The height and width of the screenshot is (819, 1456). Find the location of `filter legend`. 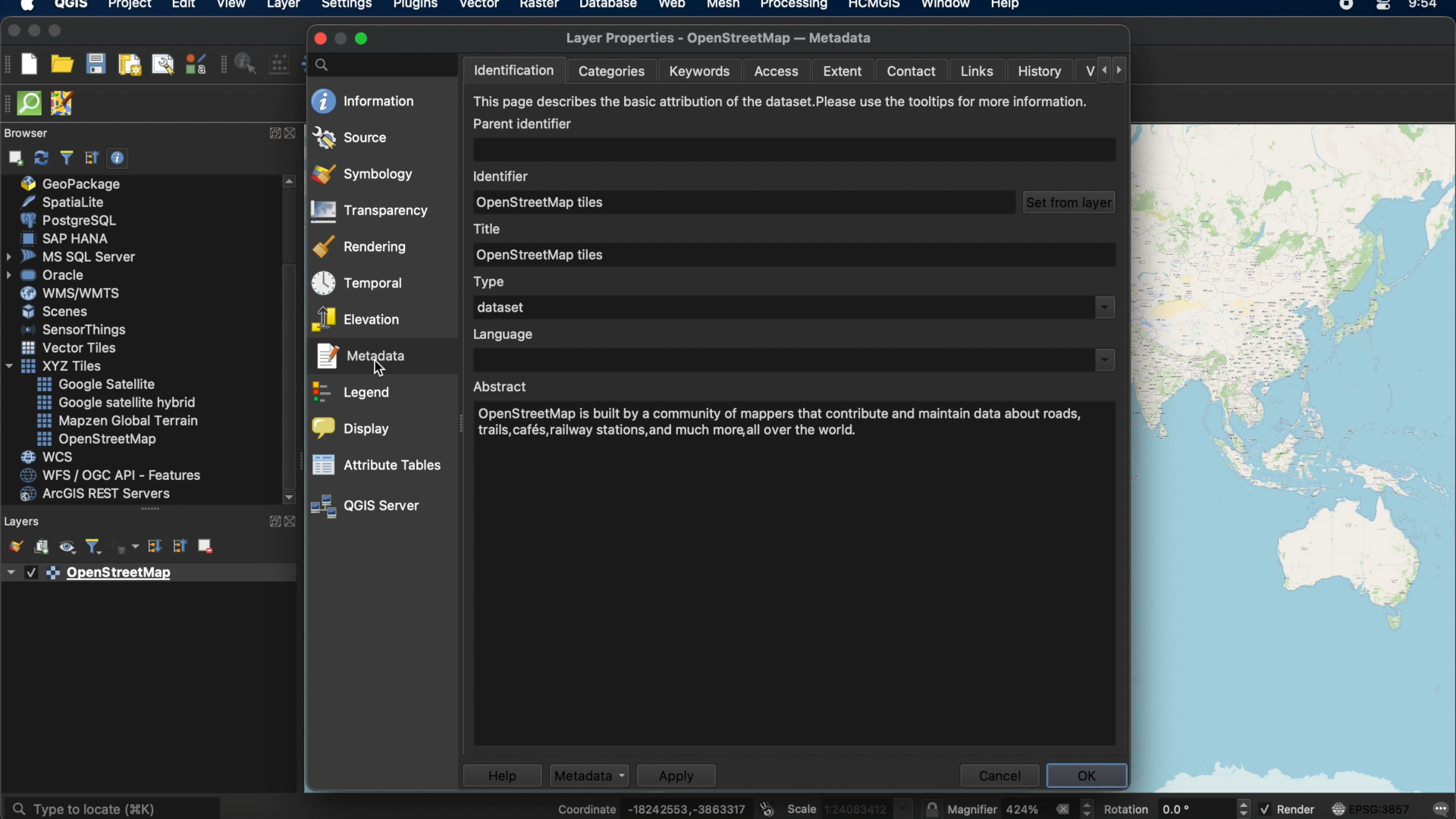

filter legend is located at coordinates (93, 547).